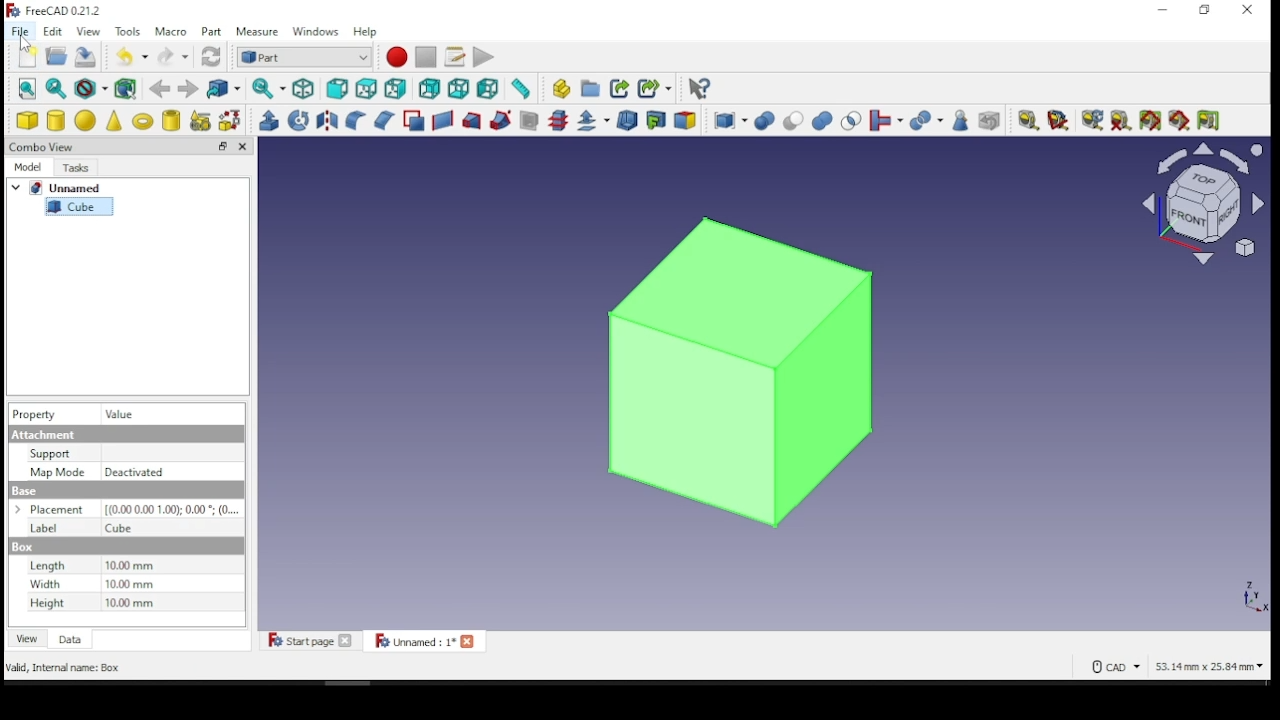 This screenshot has width=1280, height=720. I want to click on Internal name - box, so click(67, 669).